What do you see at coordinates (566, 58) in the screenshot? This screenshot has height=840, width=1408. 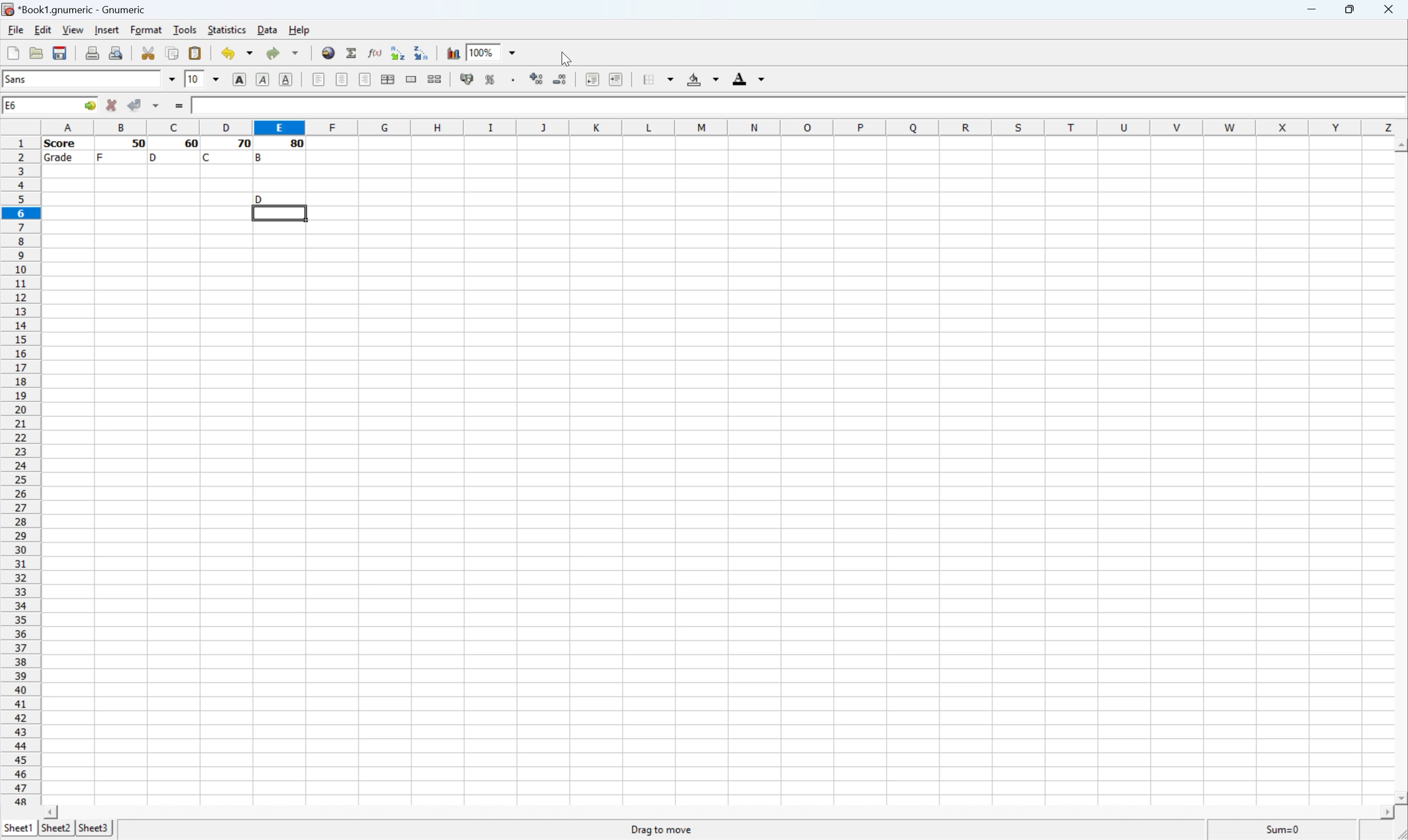 I see `Cursor` at bounding box center [566, 58].